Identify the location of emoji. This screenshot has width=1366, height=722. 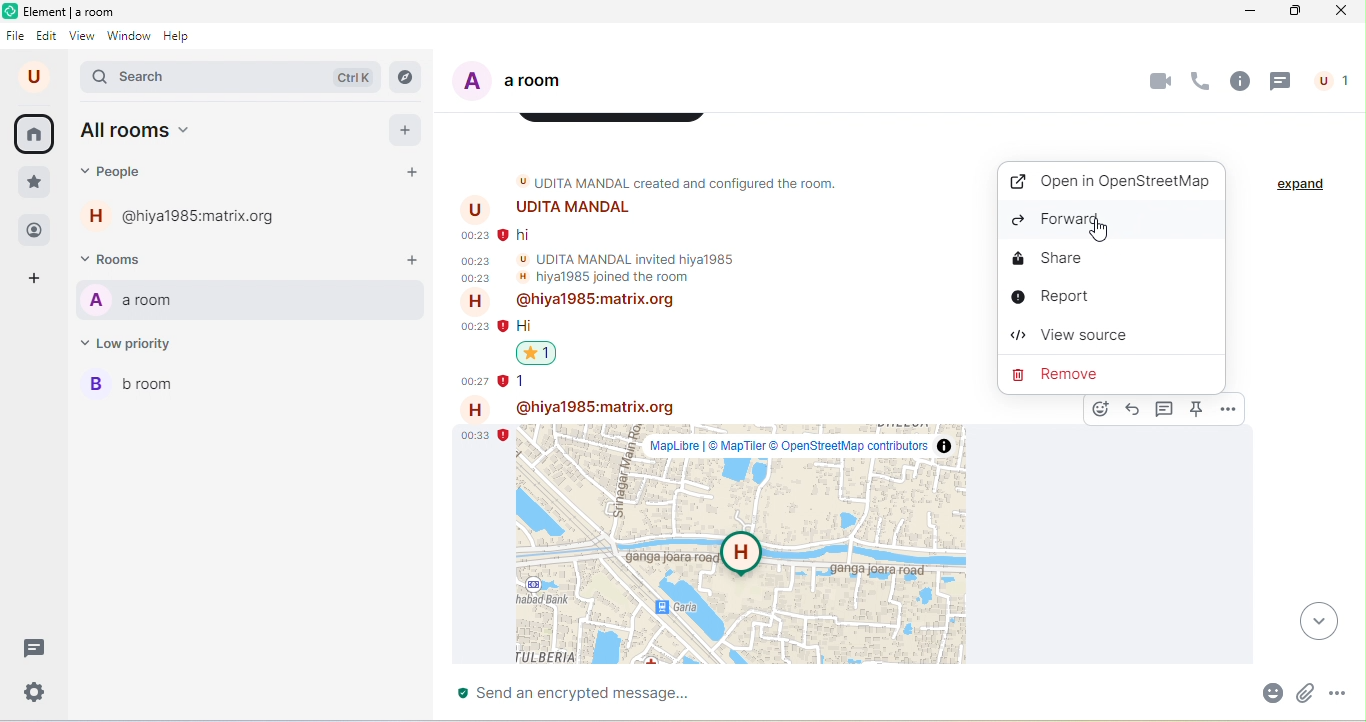
(1269, 692).